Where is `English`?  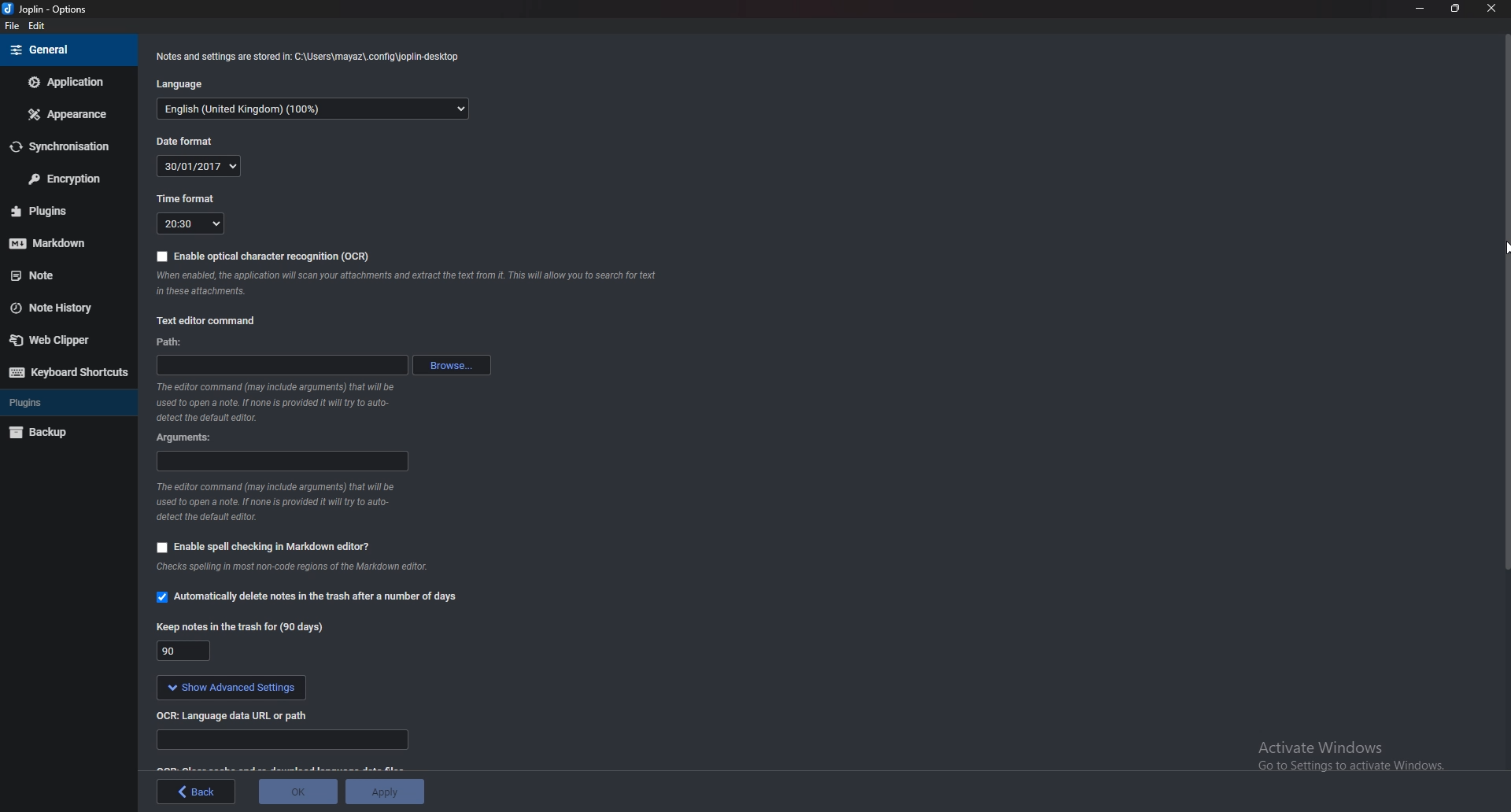 English is located at coordinates (314, 110).